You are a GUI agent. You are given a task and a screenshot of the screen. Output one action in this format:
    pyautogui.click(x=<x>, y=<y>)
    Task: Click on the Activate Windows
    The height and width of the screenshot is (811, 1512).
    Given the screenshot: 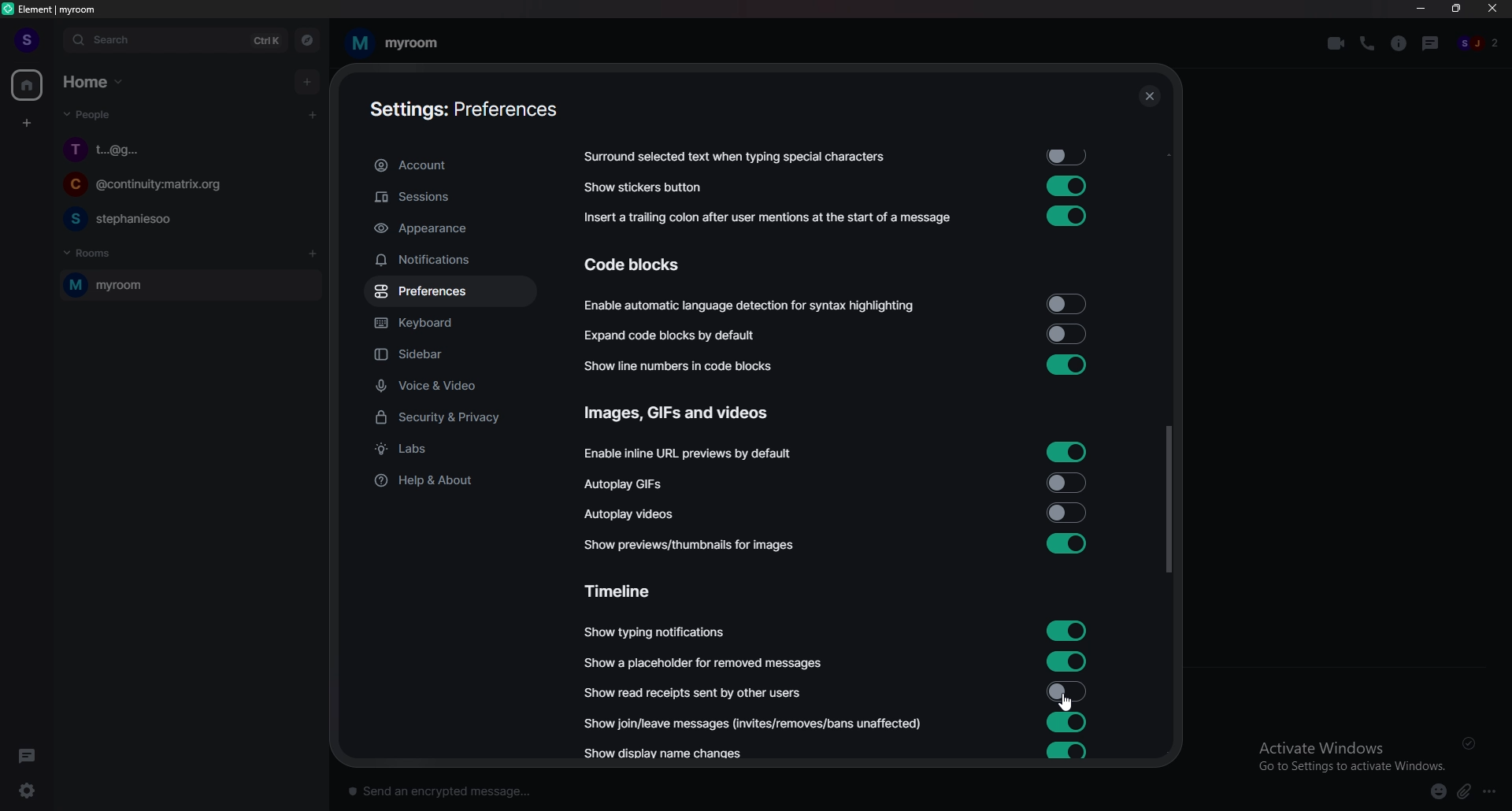 What is the action you would take?
    pyautogui.click(x=1346, y=754)
    